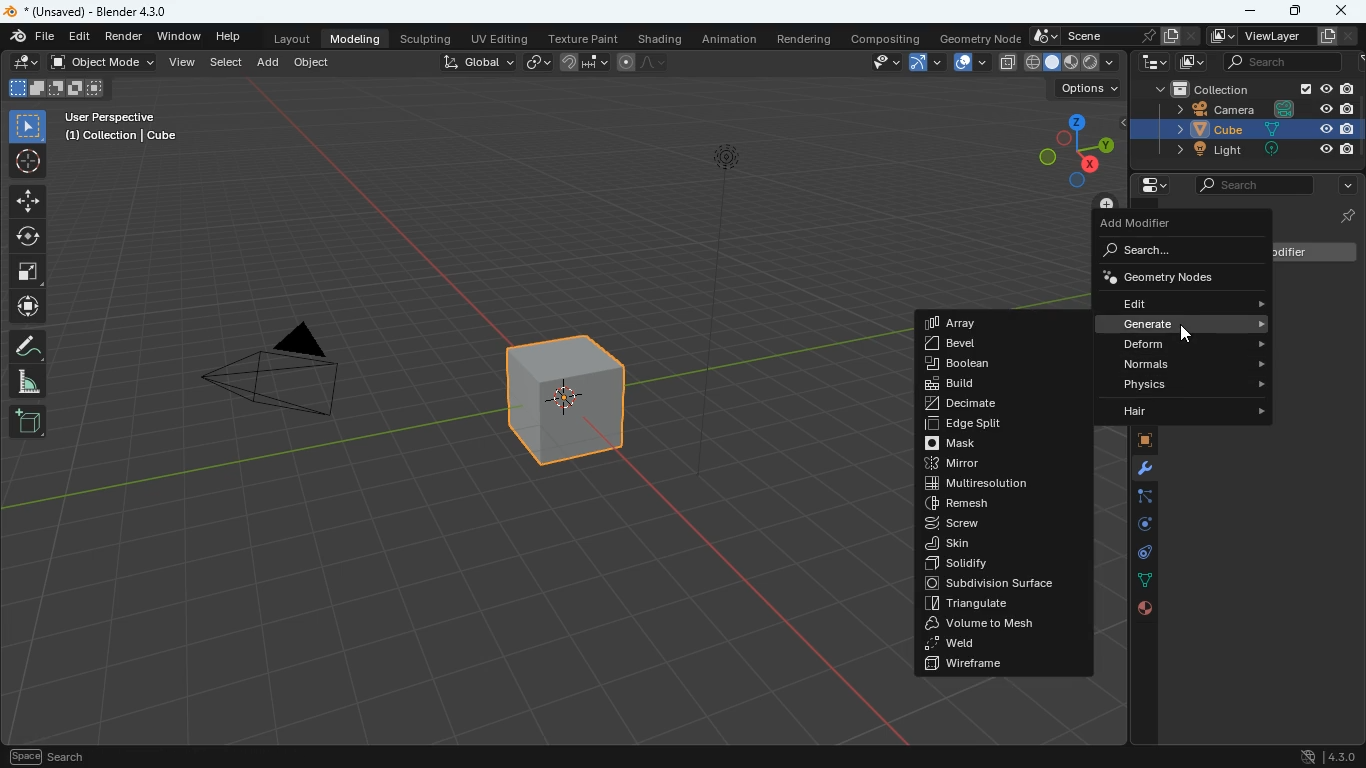 This screenshot has height=768, width=1366. I want to click on build, so click(999, 383).